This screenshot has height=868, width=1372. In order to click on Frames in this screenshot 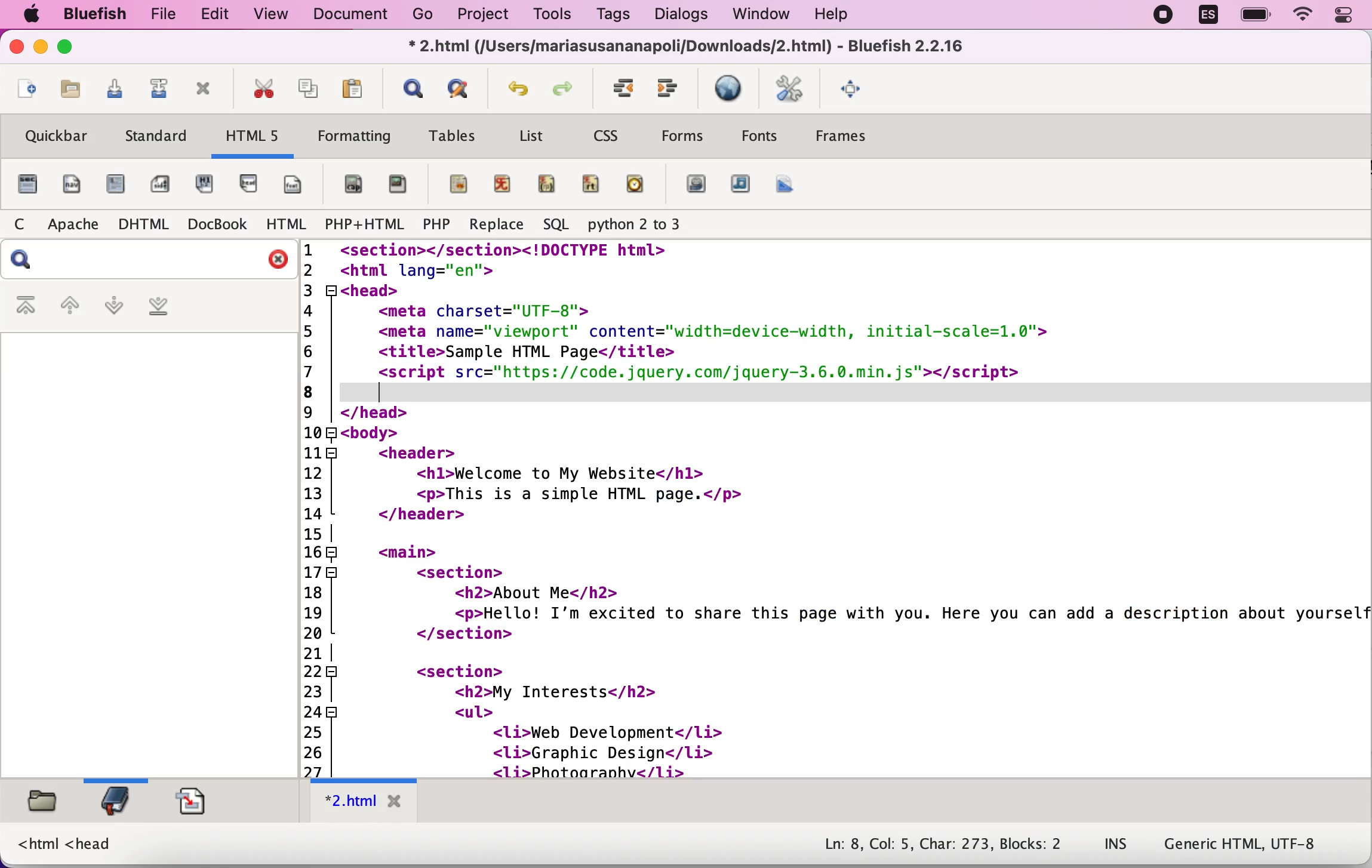, I will do `click(842, 141)`.